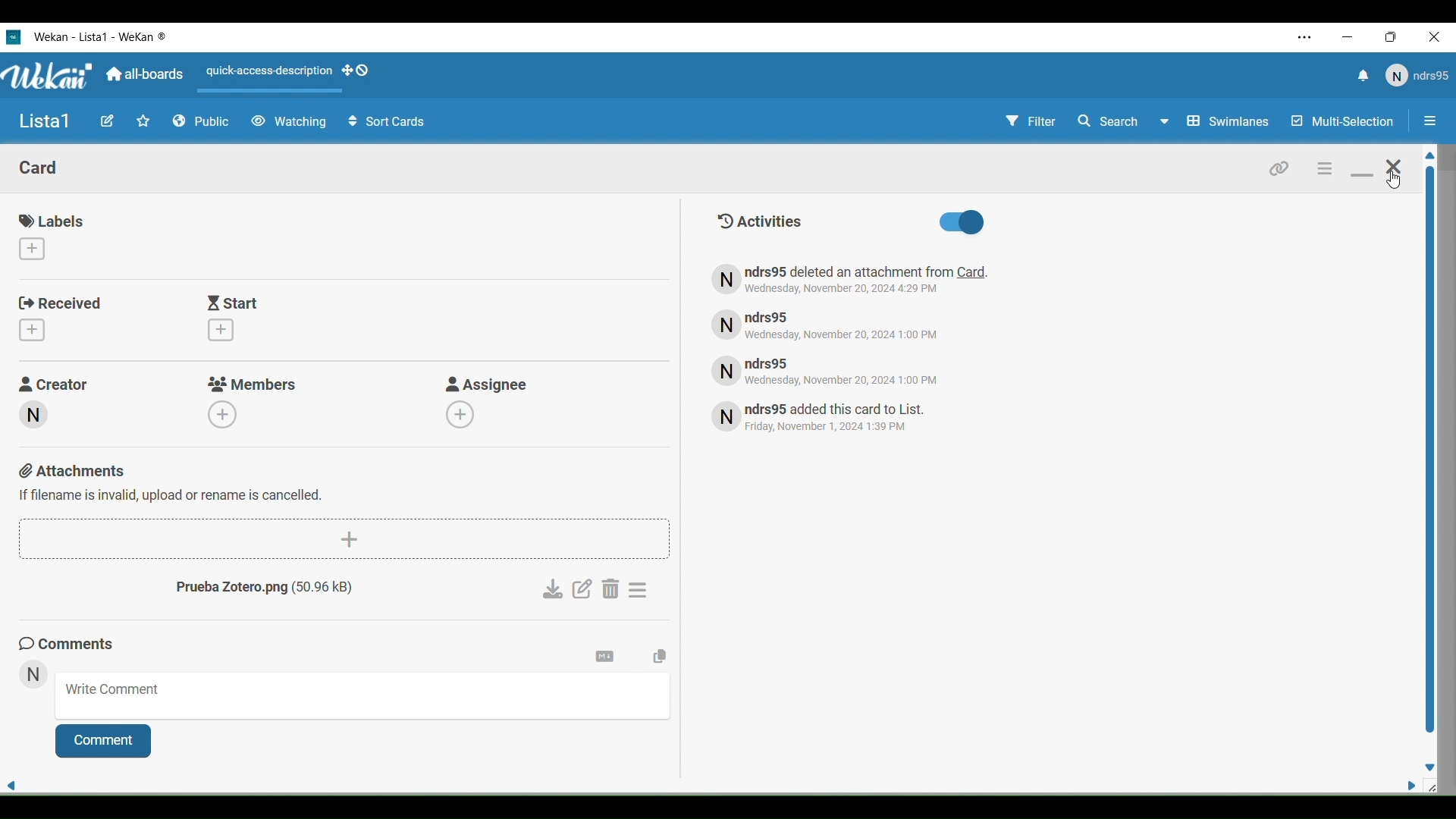 This screenshot has width=1456, height=819. Describe the element at coordinates (961, 223) in the screenshot. I see `Activities toggle` at that location.